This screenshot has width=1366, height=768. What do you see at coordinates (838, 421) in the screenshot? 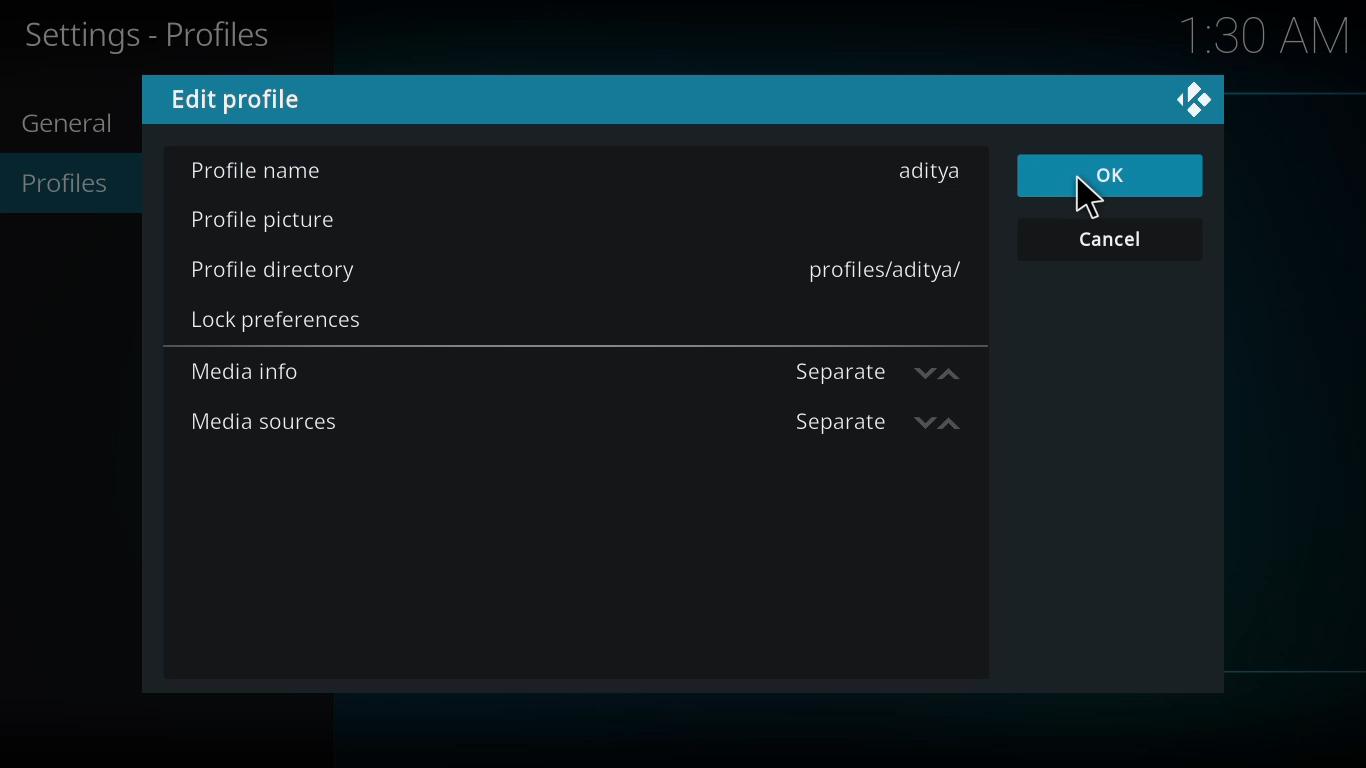
I see `separate` at bounding box center [838, 421].